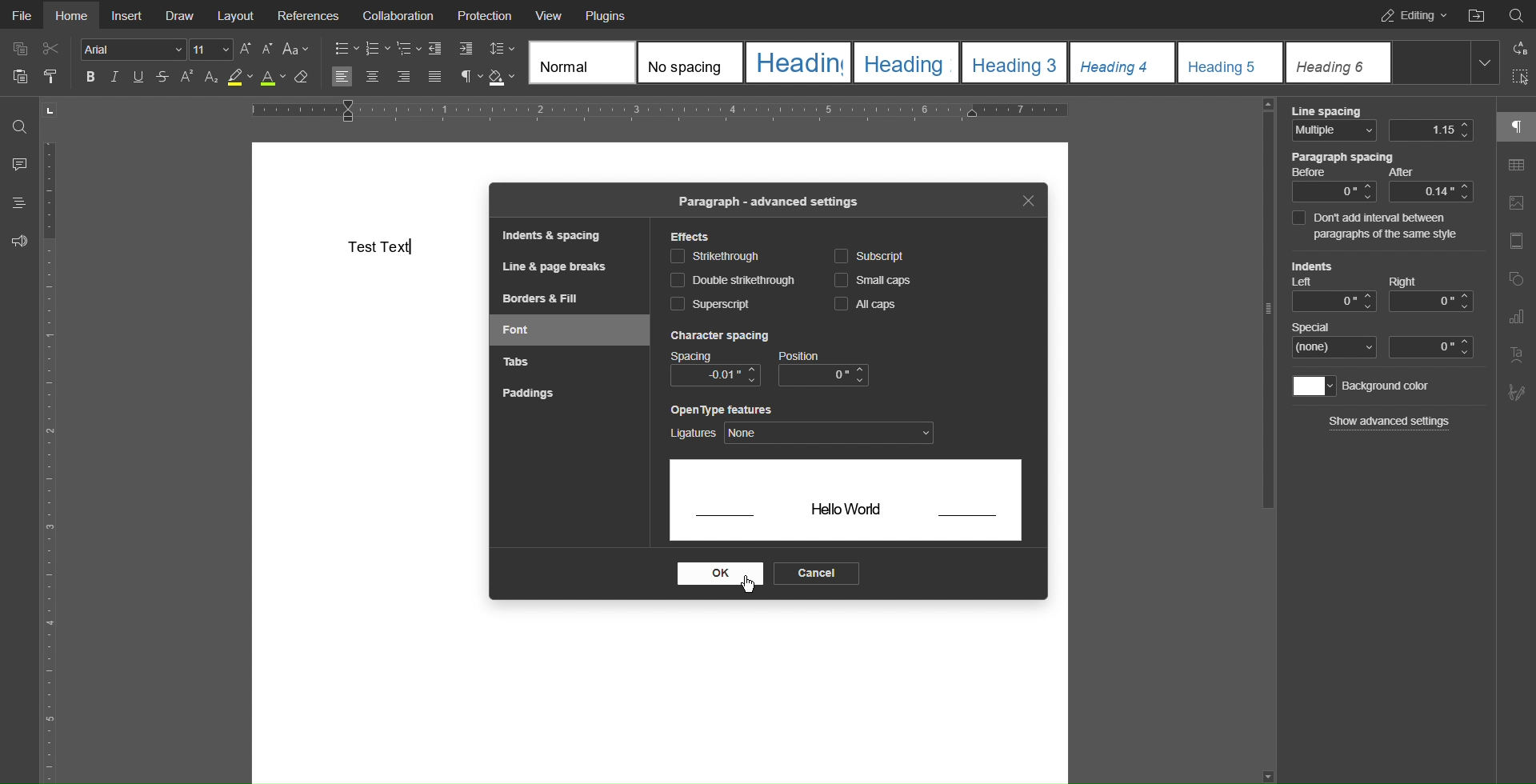  Describe the element at coordinates (302, 78) in the screenshot. I see `Erase` at that location.